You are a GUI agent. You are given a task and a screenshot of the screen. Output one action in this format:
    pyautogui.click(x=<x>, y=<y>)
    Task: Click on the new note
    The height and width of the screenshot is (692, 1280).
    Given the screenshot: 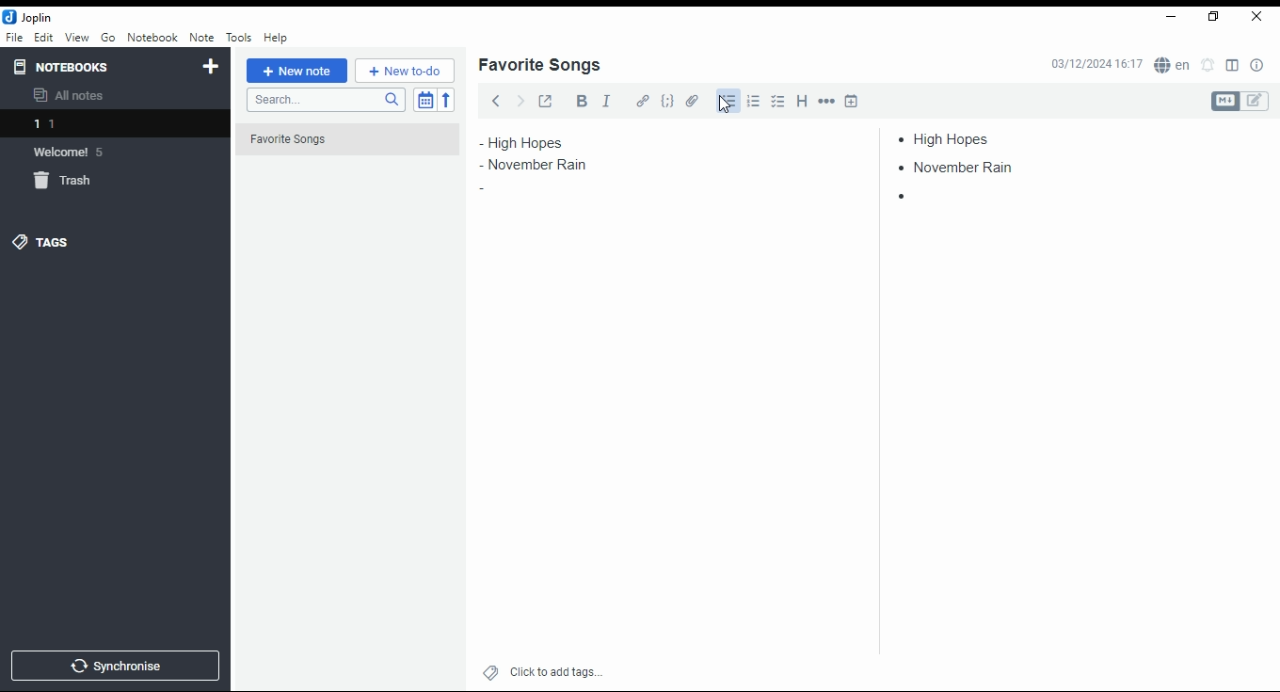 What is the action you would take?
    pyautogui.click(x=297, y=71)
    